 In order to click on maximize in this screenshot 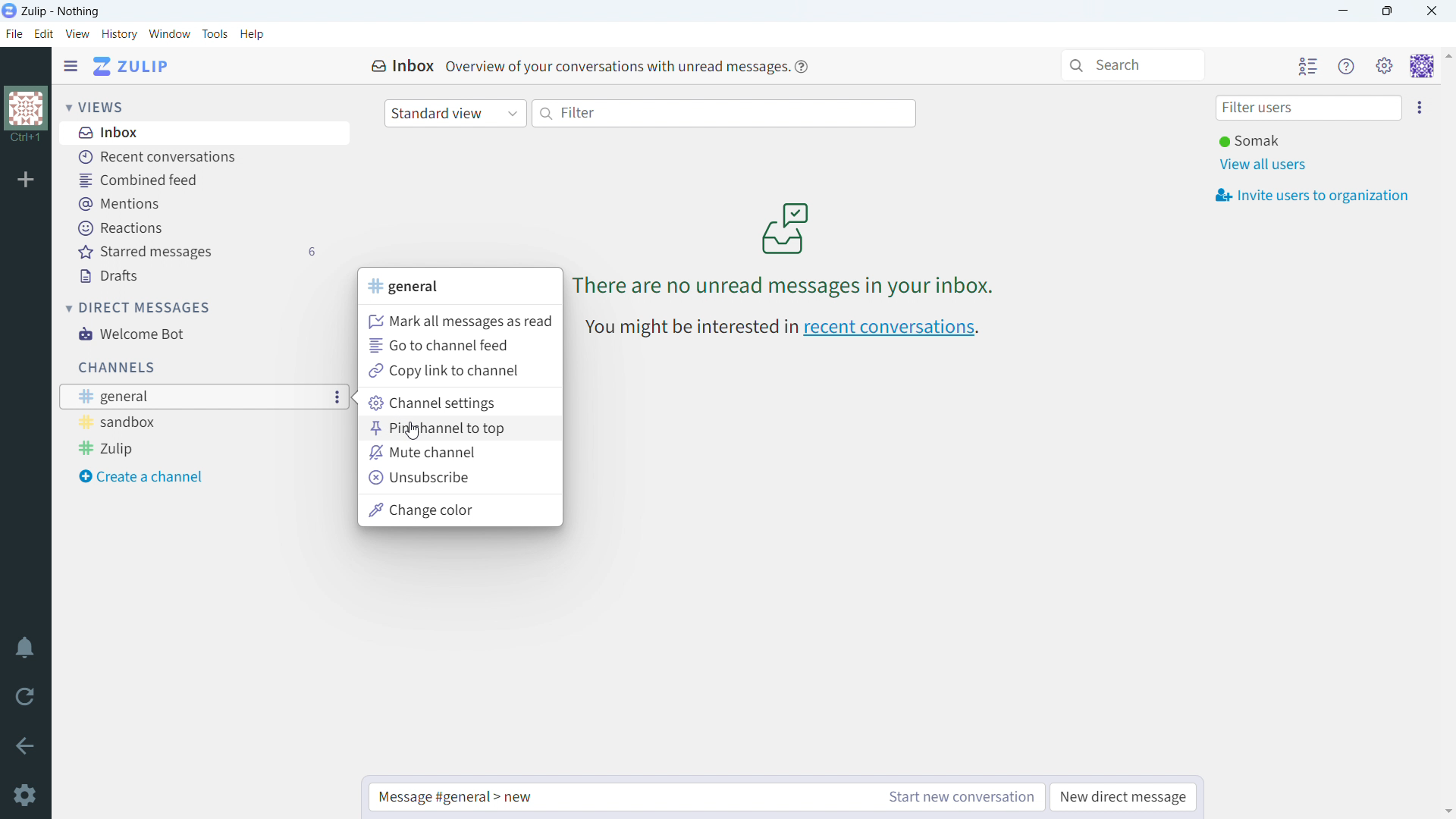, I will do `click(1388, 11)`.